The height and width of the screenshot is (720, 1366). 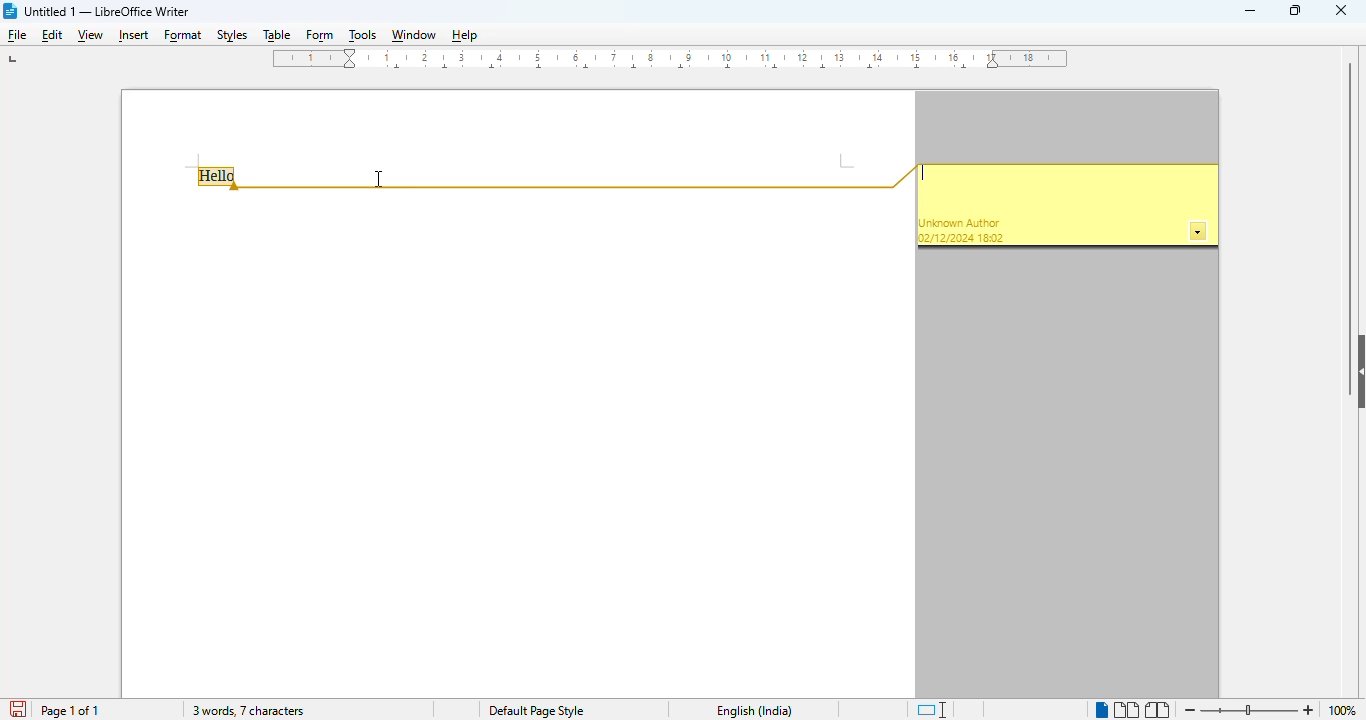 What do you see at coordinates (20, 710) in the screenshot?
I see `click to save document` at bounding box center [20, 710].